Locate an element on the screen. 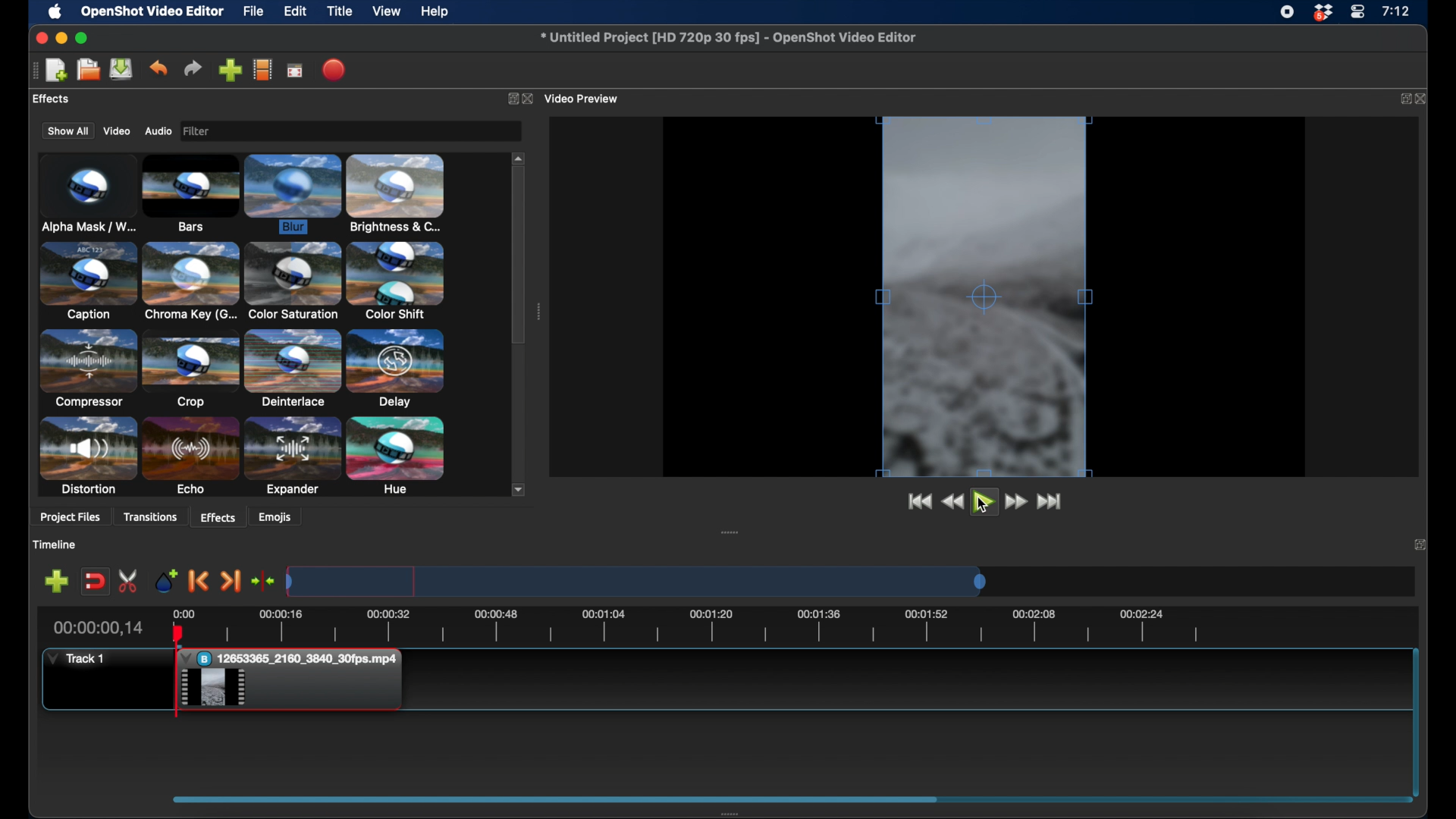 The width and height of the screenshot is (1456, 819). add marker is located at coordinates (165, 580).